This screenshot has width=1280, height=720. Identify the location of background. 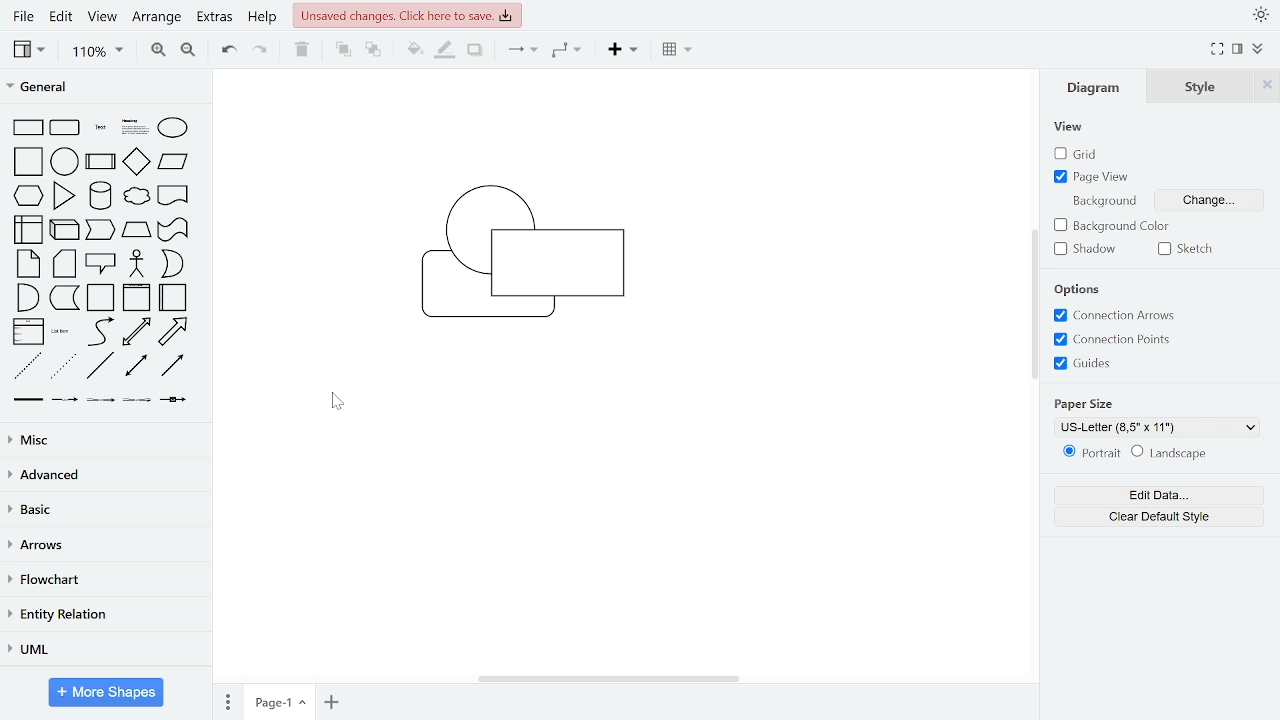
(1102, 202).